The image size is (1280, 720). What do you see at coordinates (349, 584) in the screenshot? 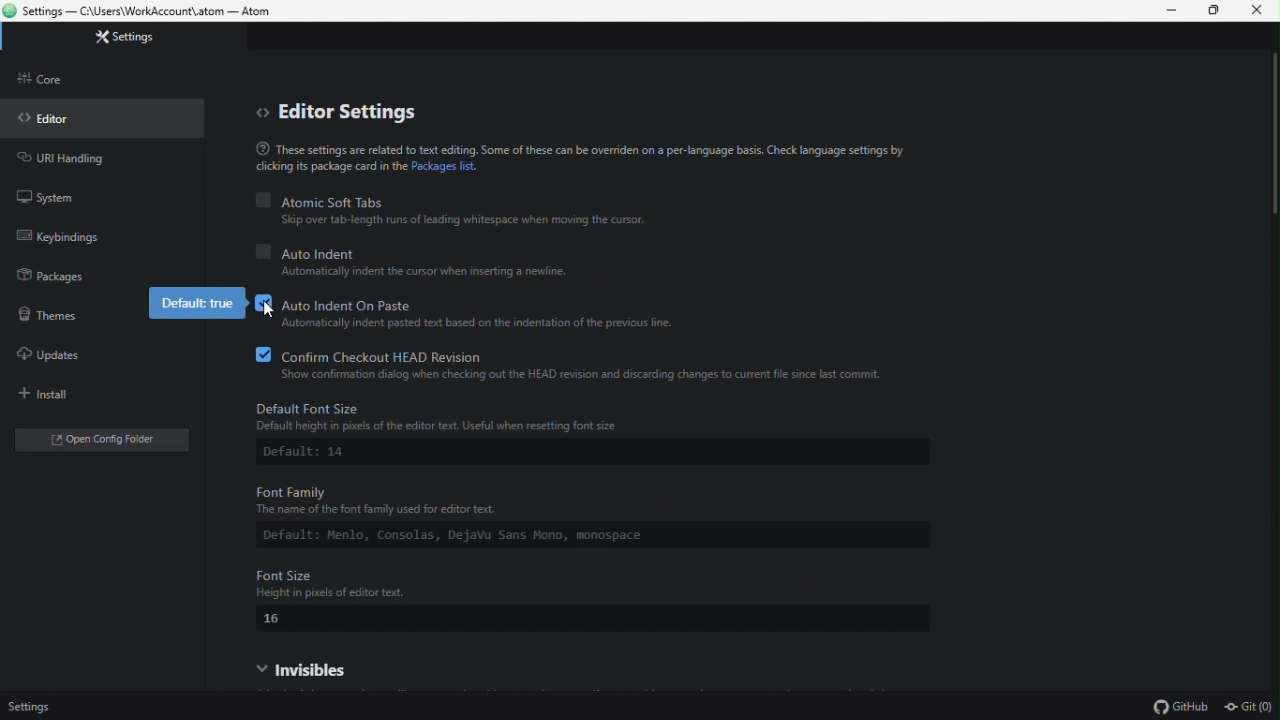
I see `Font Size
Height in pixels of editor text.` at bounding box center [349, 584].